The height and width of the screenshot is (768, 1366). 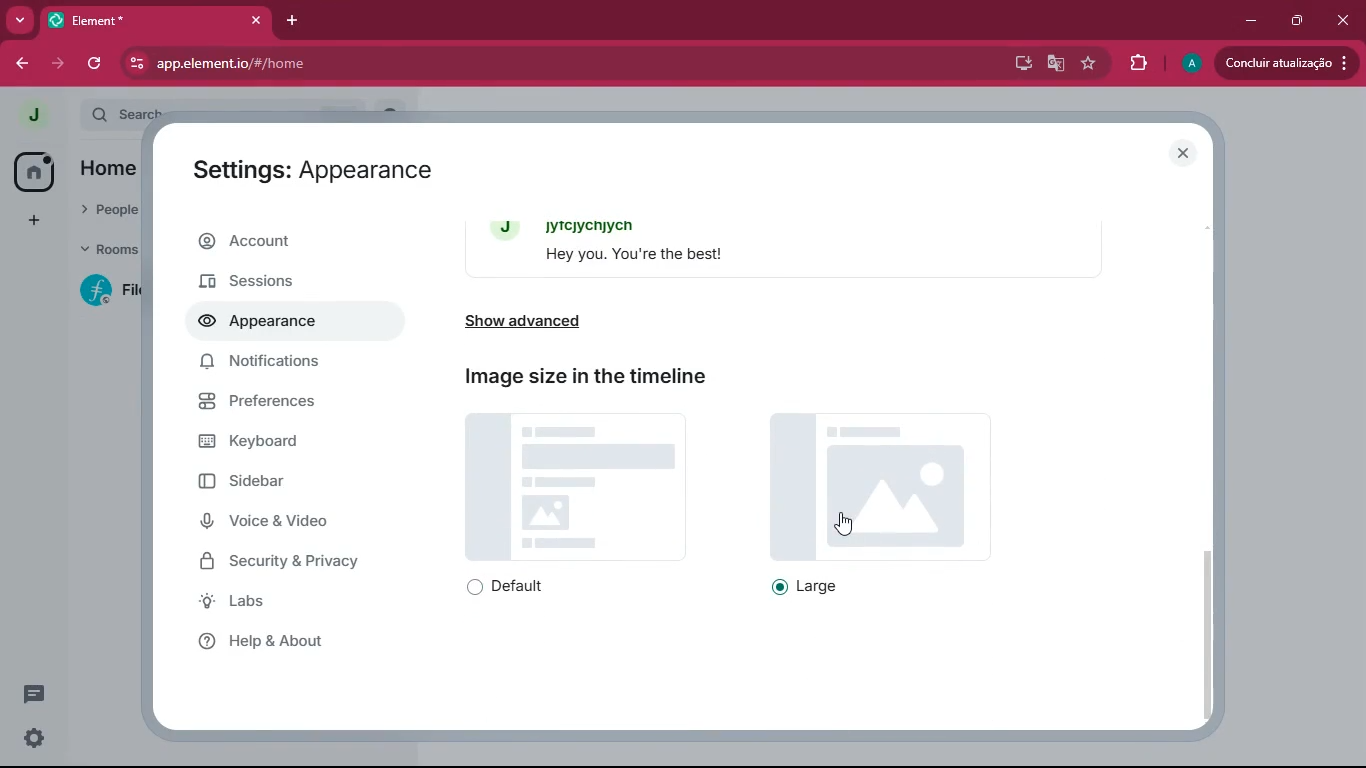 What do you see at coordinates (19, 19) in the screenshot?
I see `more` at bounding box center [19, 19].